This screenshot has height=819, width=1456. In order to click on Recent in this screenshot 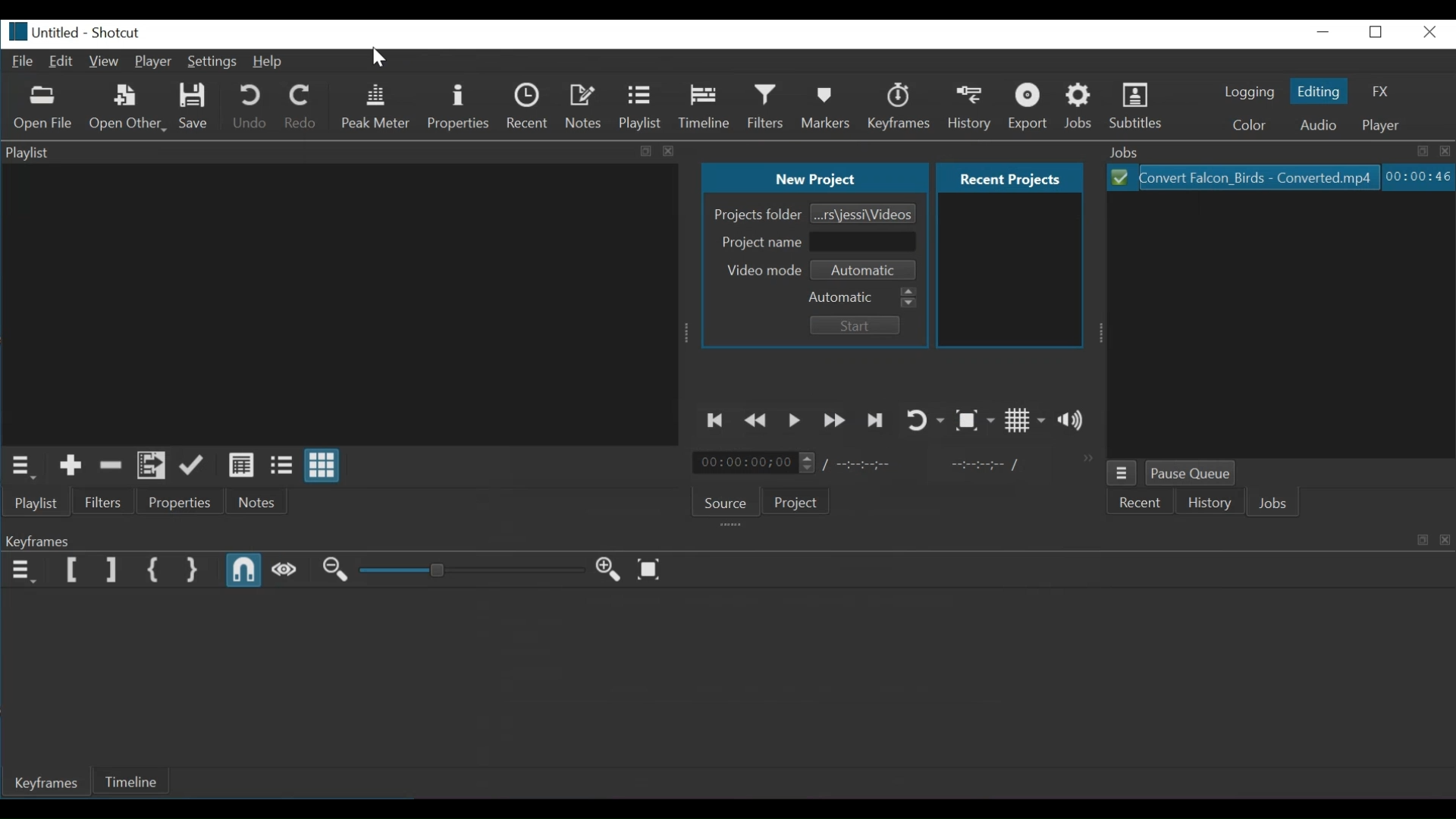, I will do `click(1141, 503)`.